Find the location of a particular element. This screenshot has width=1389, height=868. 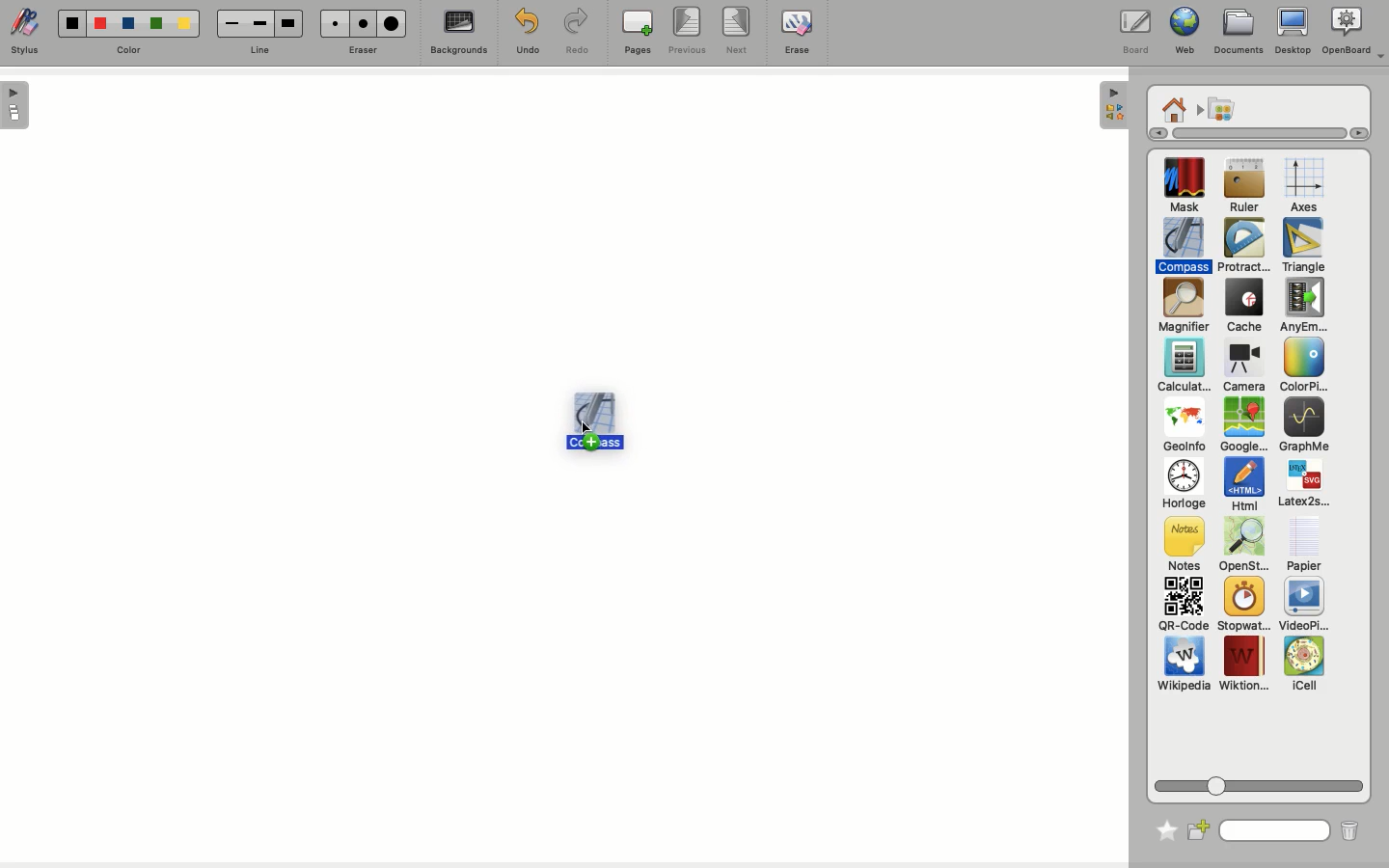

Scroll is located at coordinates (1262, 782).